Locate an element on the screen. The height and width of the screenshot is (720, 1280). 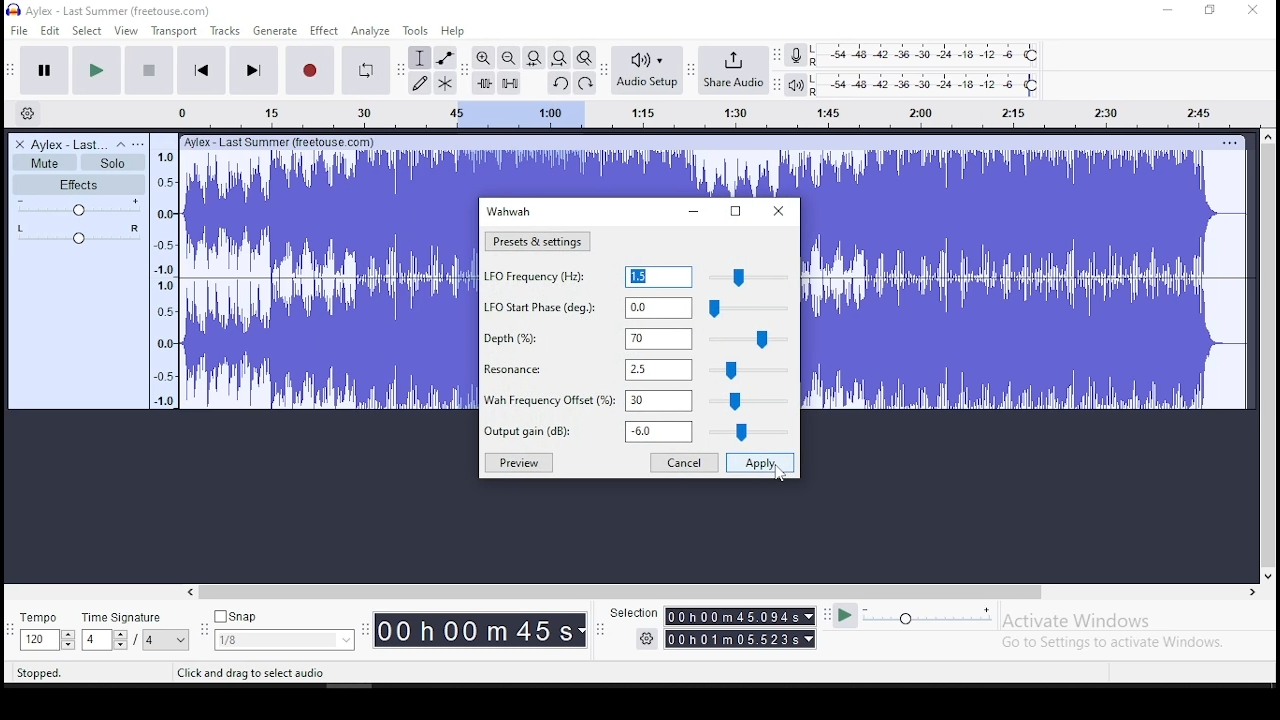
LFO fequency (Hz) is located at coordinates (588, 276).